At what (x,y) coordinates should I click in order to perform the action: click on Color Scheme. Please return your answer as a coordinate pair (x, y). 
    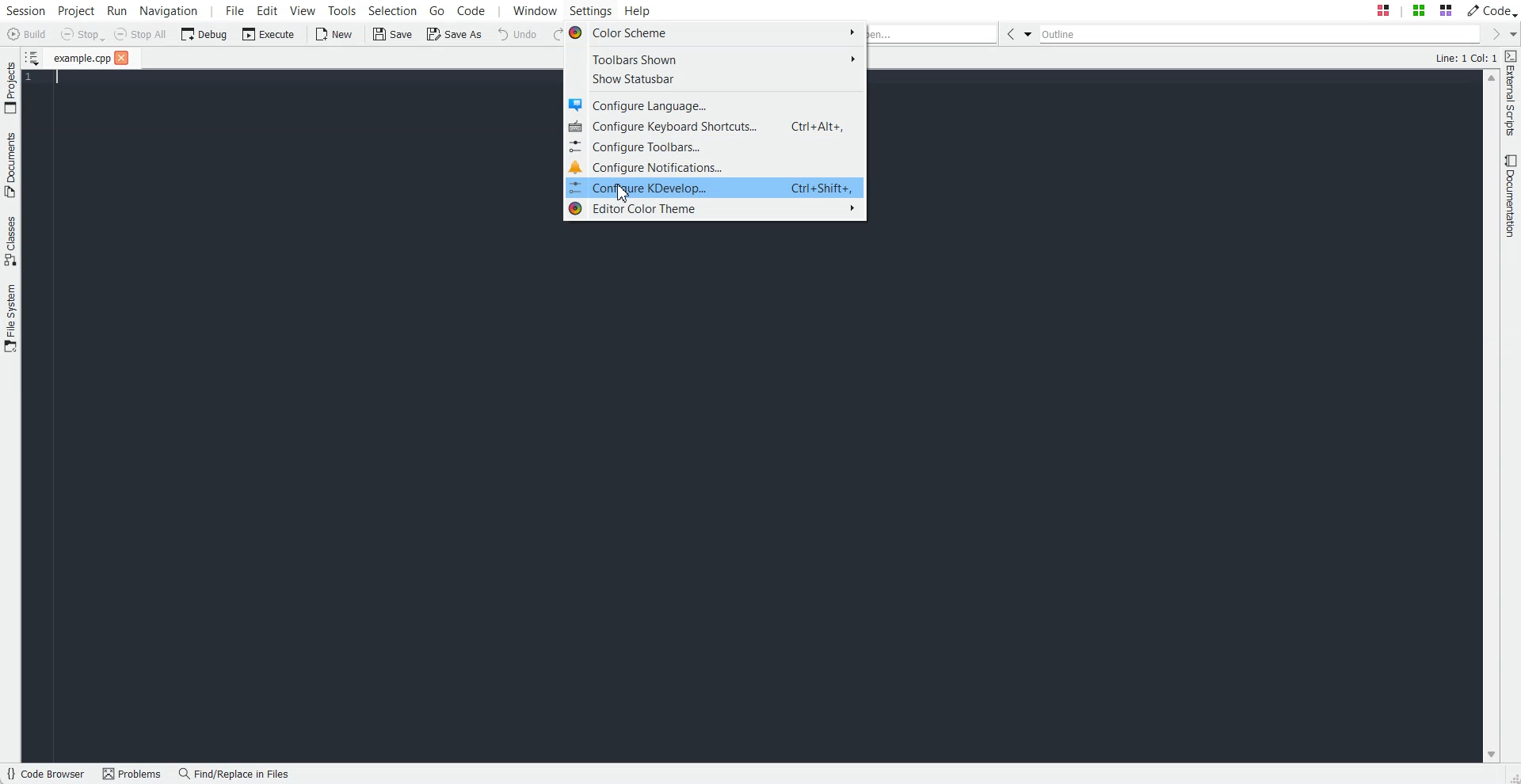
    Looking at the image, I should click on (714, 32).